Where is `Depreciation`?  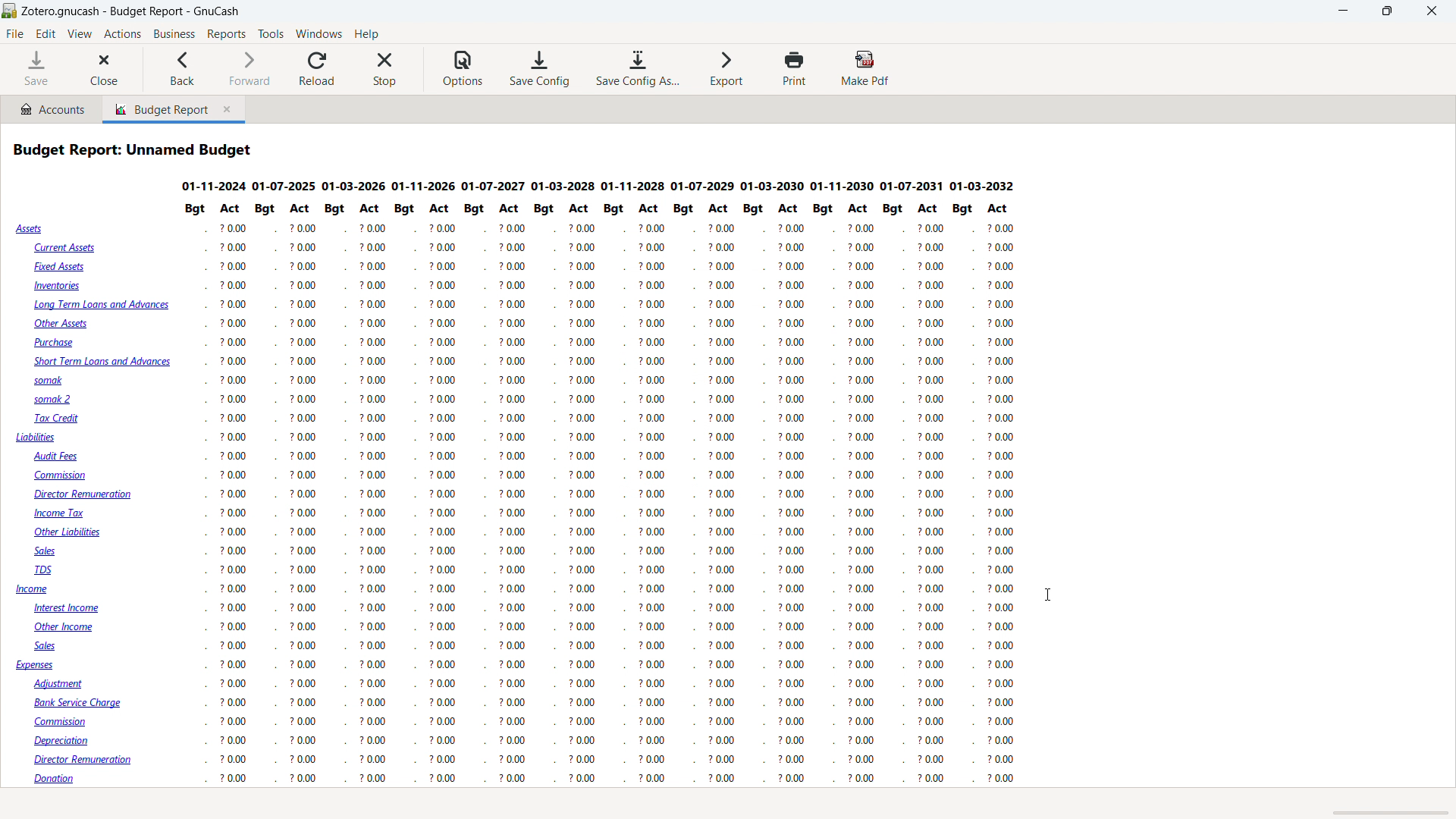 Depreciation is located at coordinates (68, 741).